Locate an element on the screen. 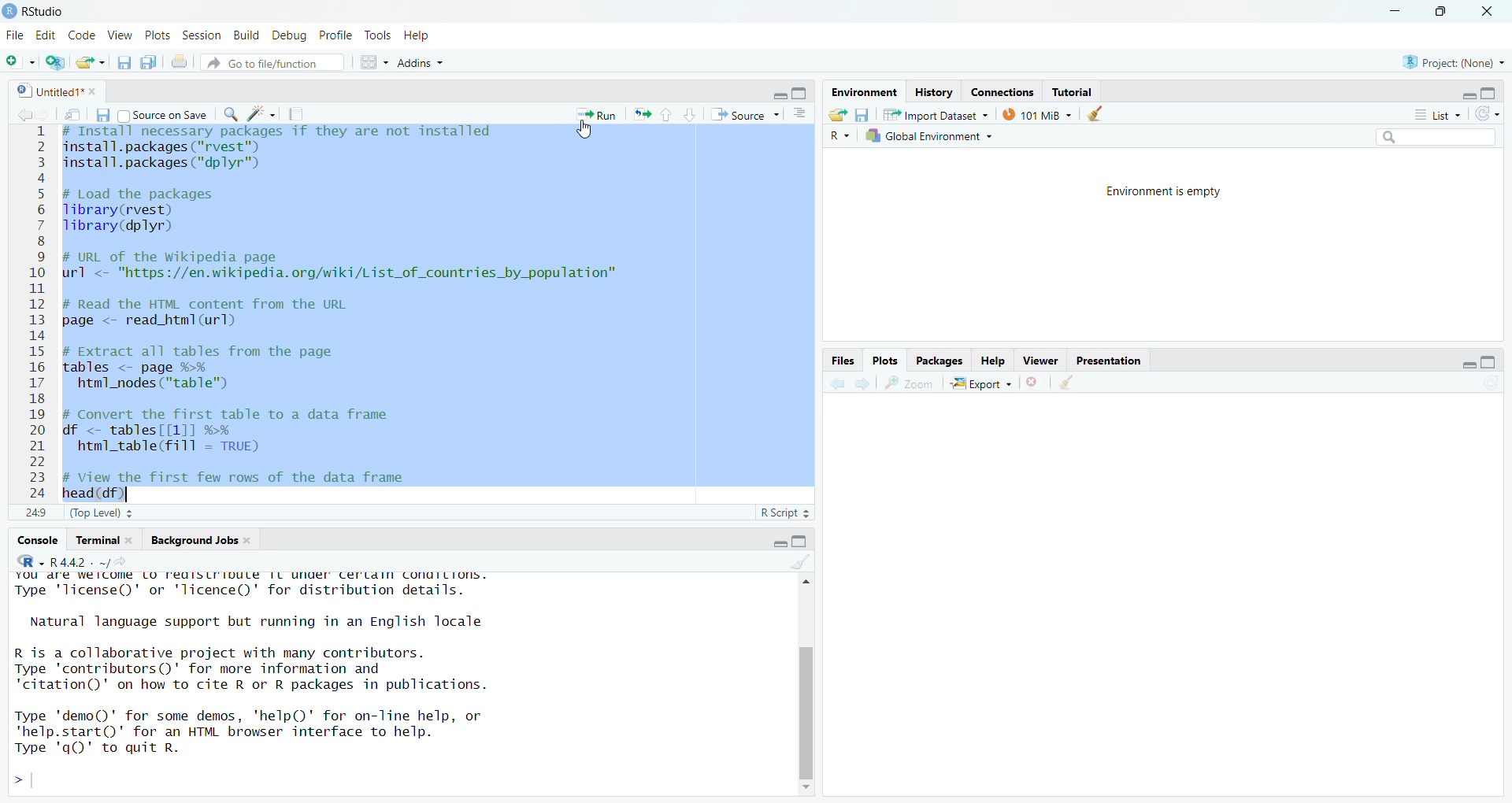  refresh is located at coordinates (1490, 382).